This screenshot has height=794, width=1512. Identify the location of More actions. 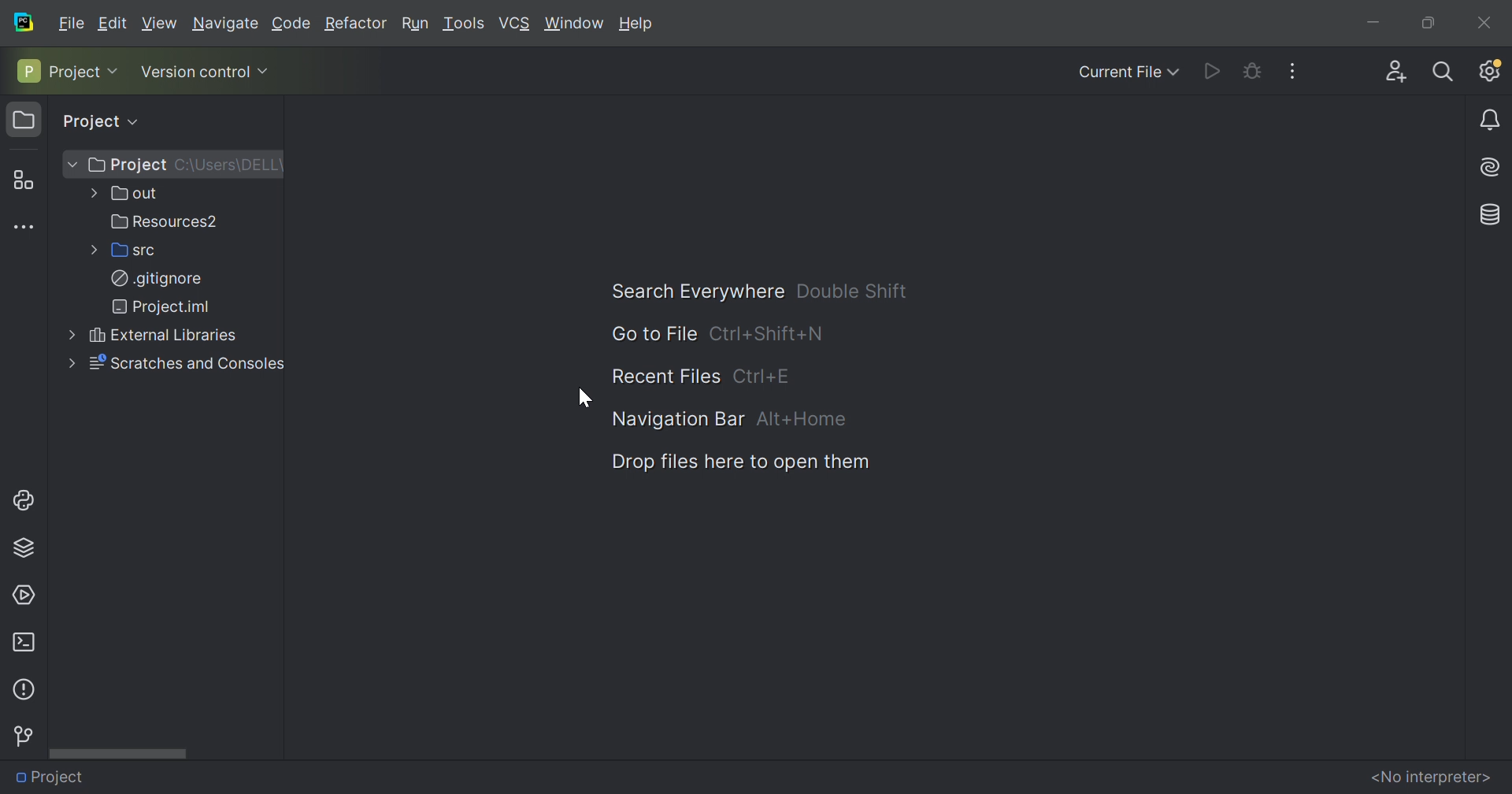
(1300, 70).